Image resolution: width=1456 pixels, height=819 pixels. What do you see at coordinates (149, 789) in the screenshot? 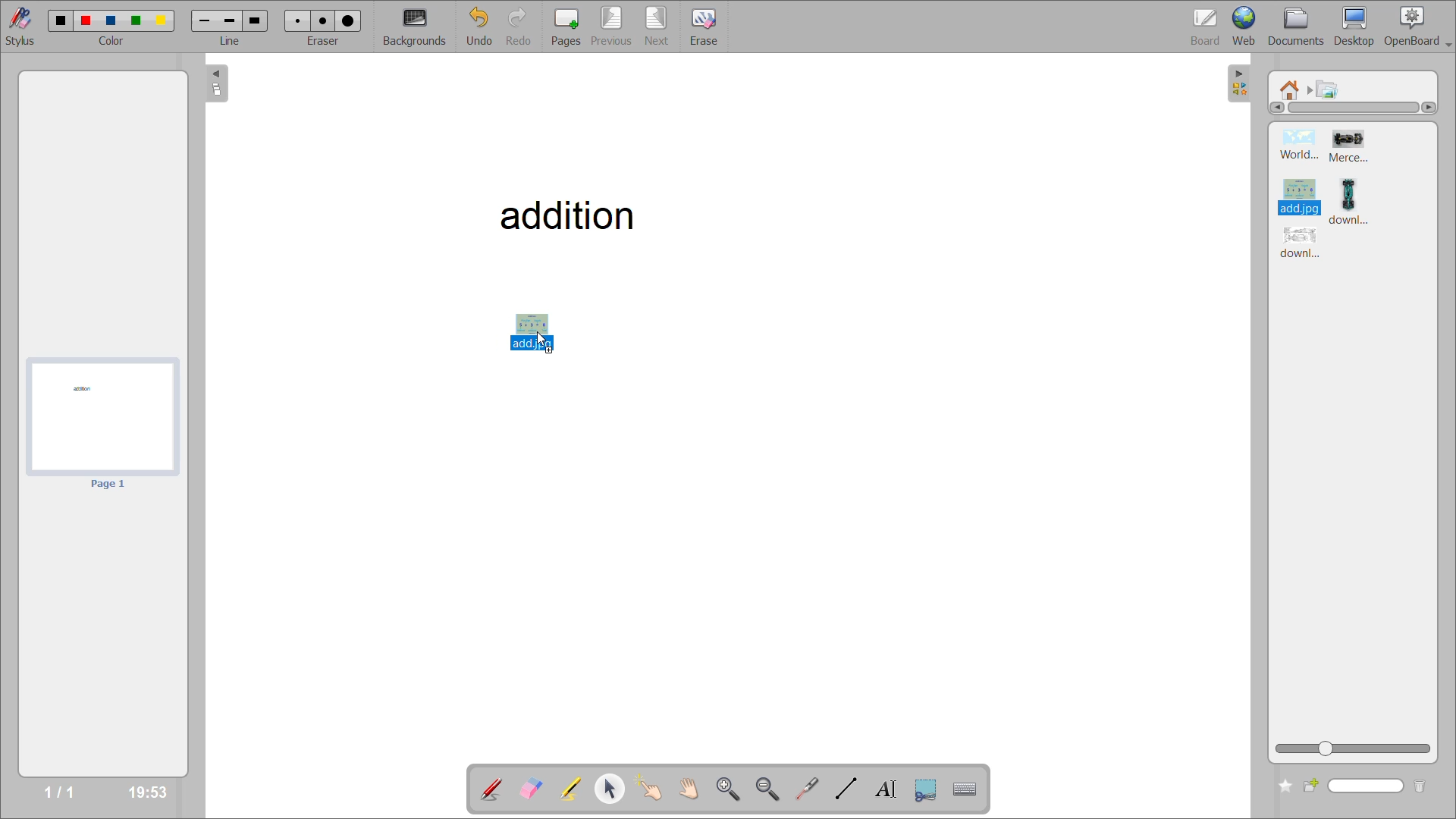
I see `timestamp` at bounding box center [149, 789].